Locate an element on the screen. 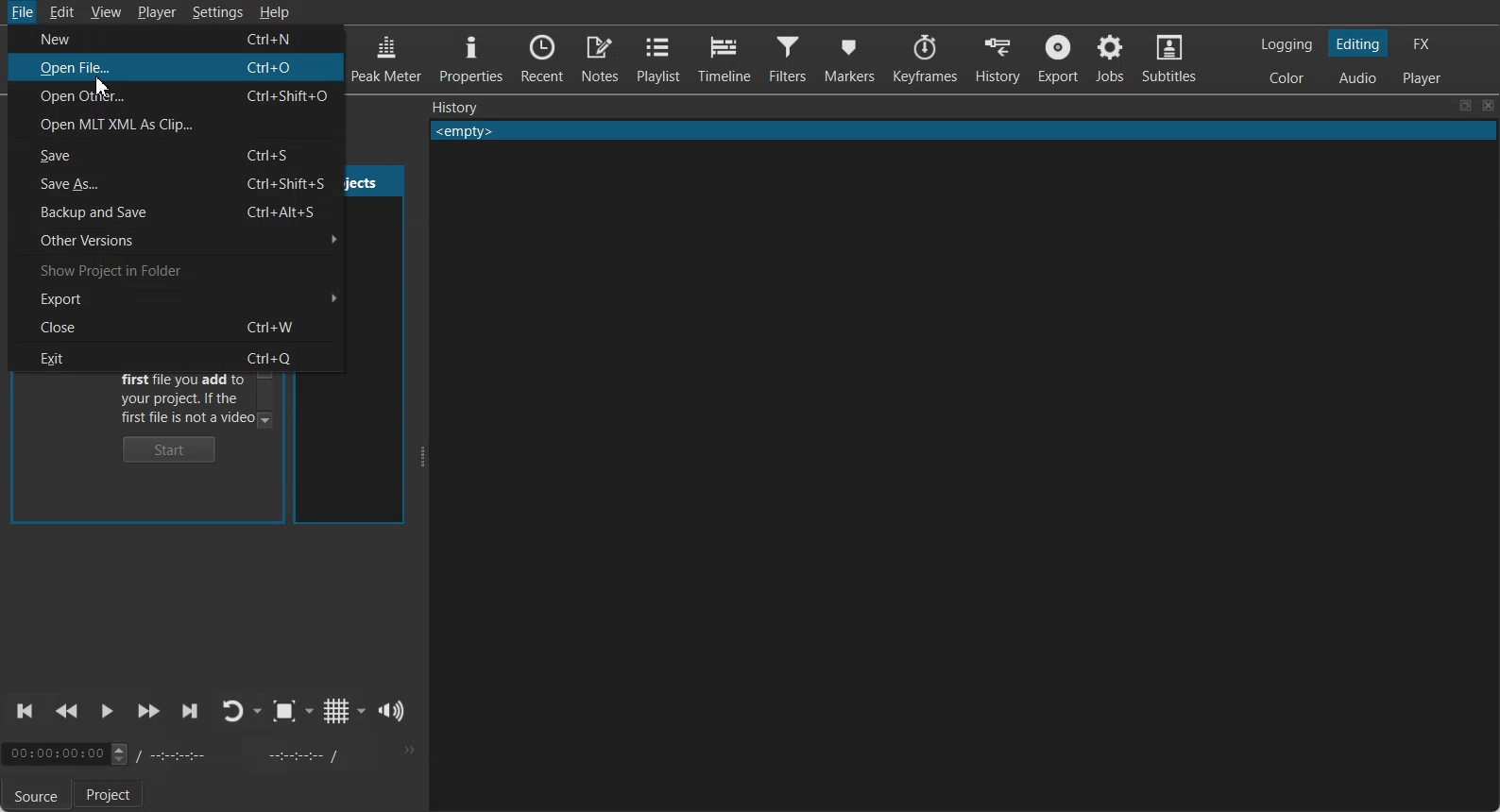 The height and width of the screenshot is (812, 1500). Play Quickly Forward is located at coordinates (148, 712).